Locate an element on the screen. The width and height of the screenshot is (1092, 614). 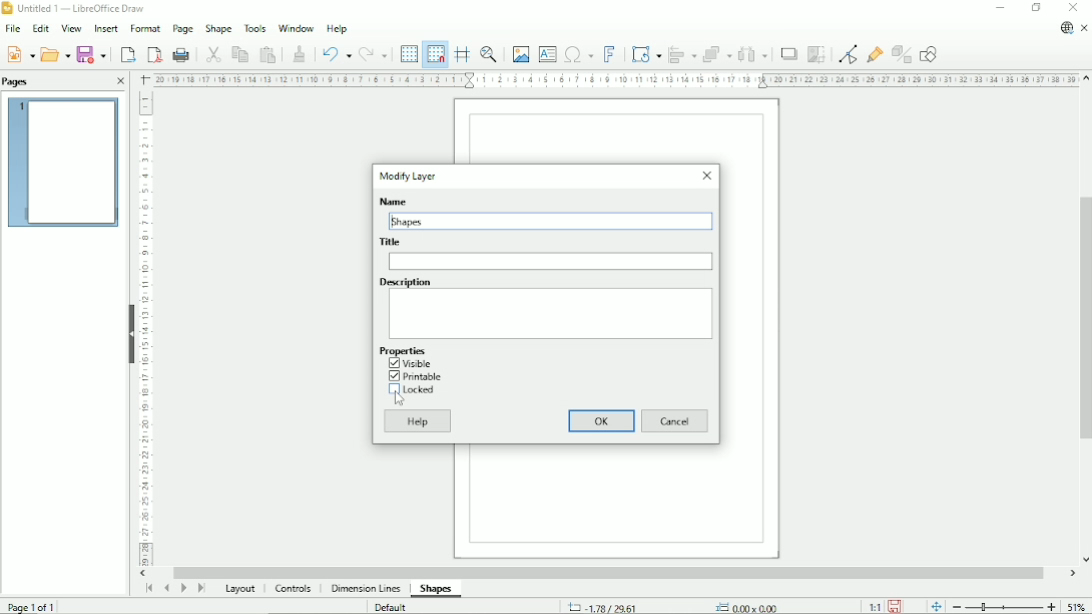
Title is located at coordinates (391, 242).